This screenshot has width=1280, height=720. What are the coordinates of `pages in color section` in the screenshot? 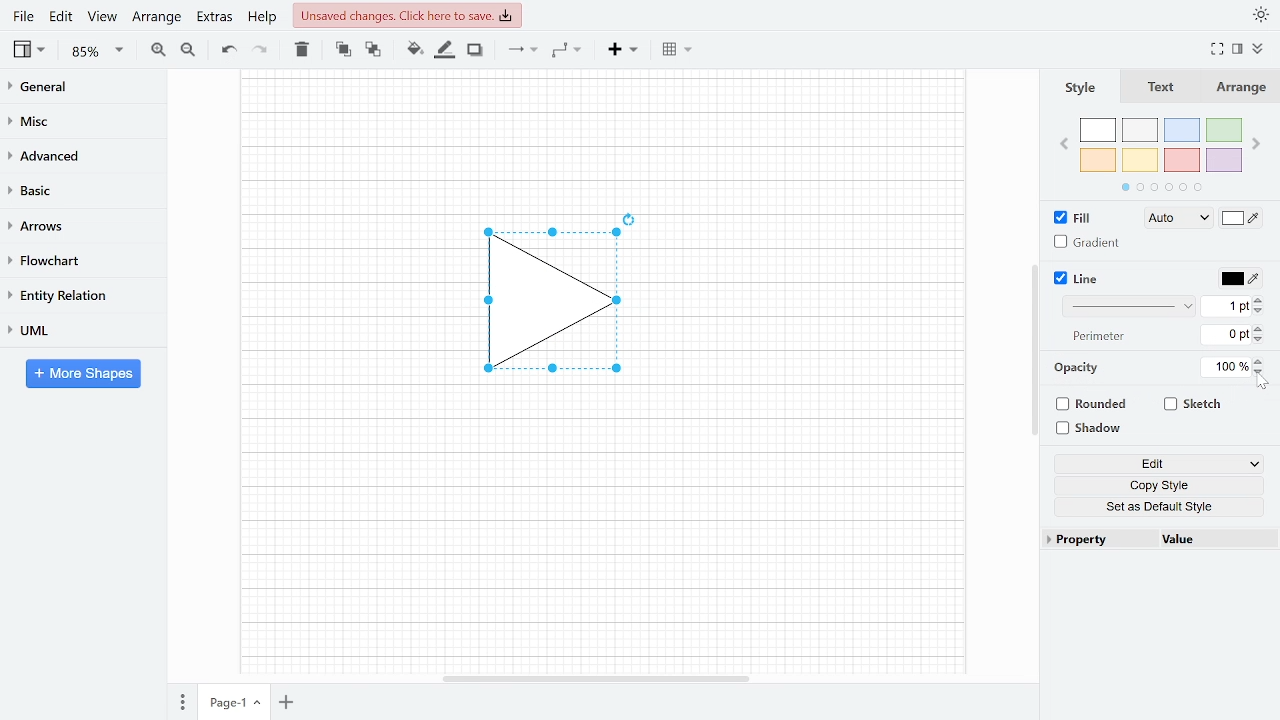 It's located at (1159, 185).